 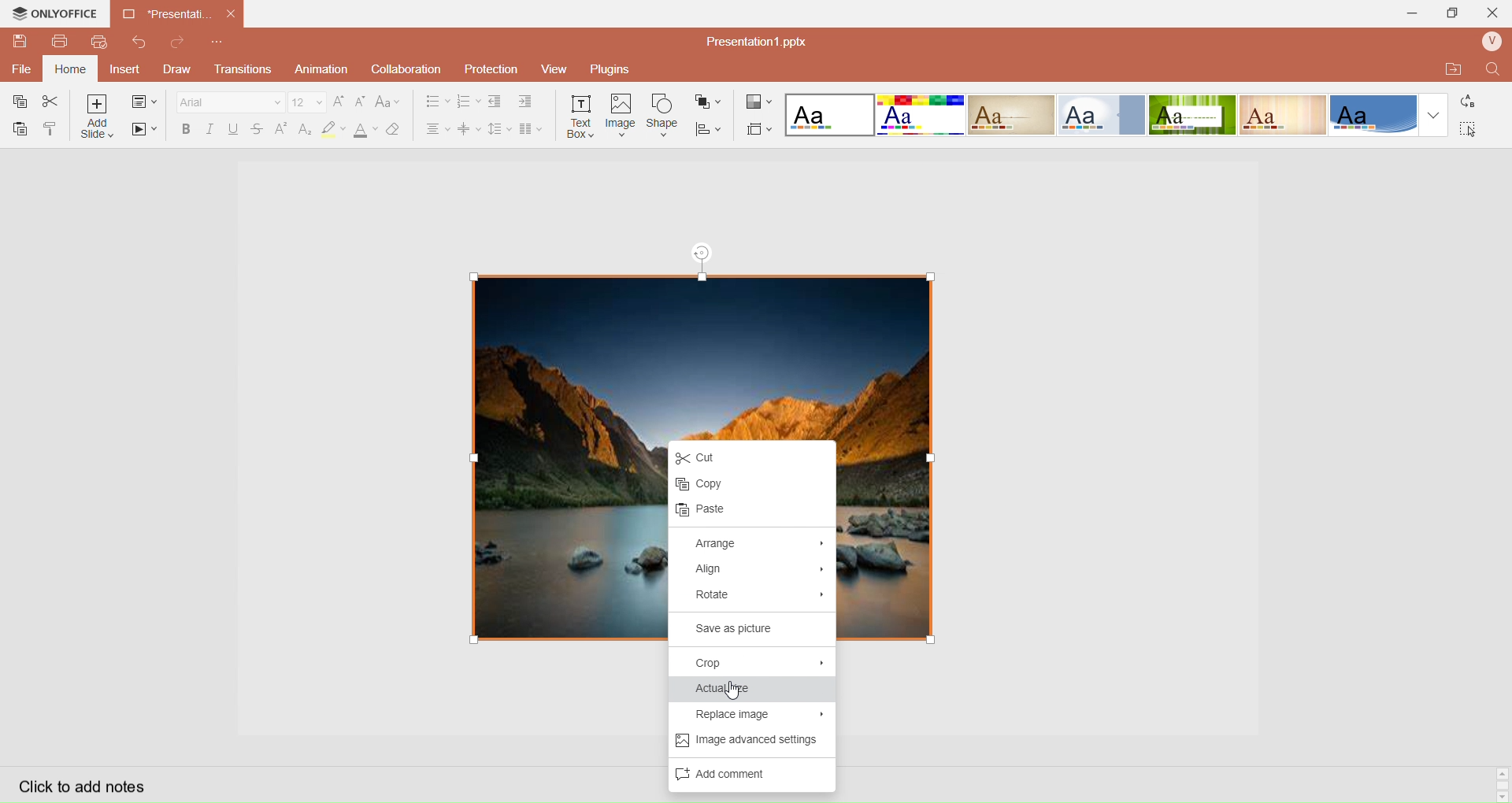 What do you see at coordinates (709, 129) in the screenshot?
I see `Align Shape` at bounding box center [709, 129].